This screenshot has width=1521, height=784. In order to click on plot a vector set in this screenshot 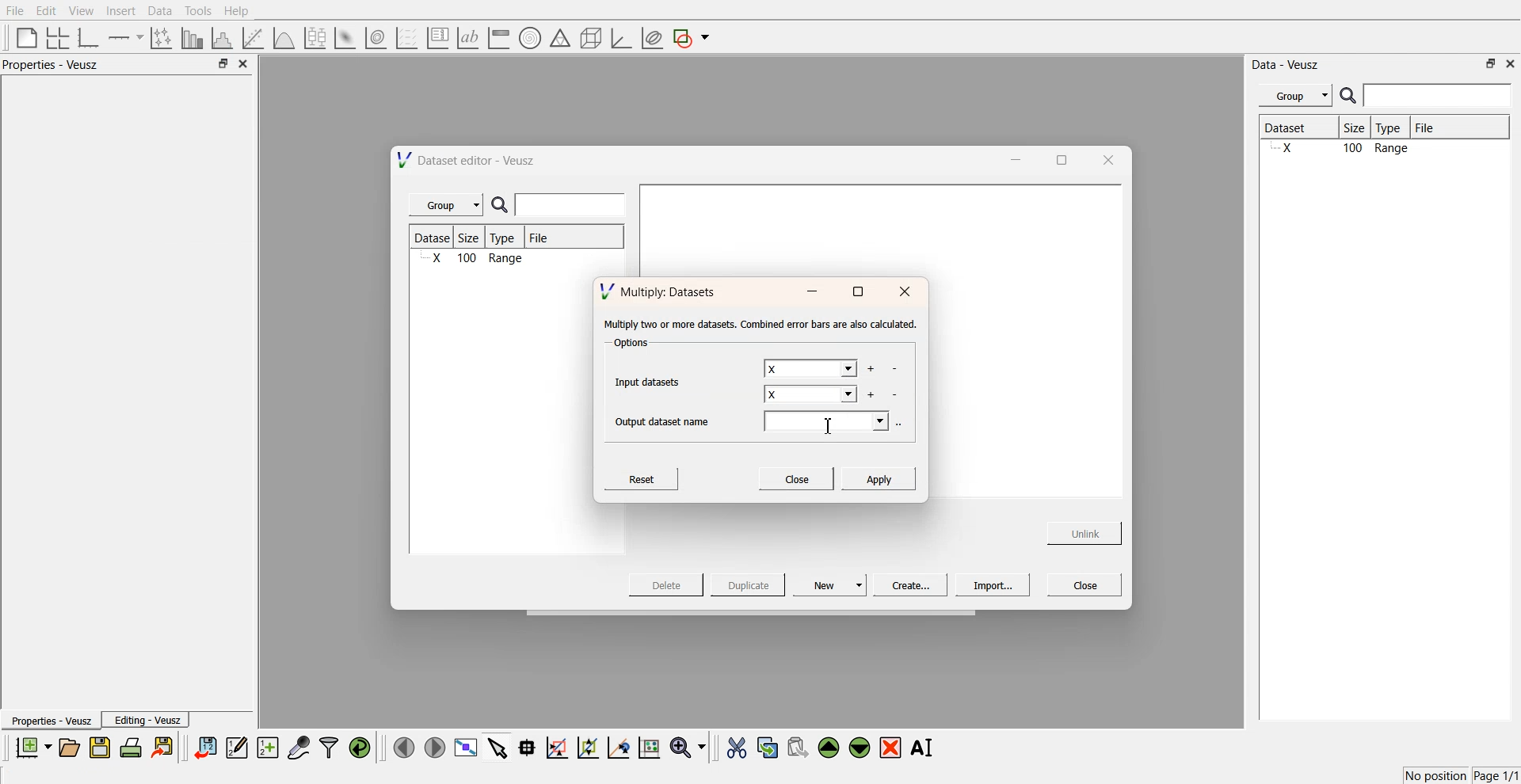, I will do `click(408, 38)`.